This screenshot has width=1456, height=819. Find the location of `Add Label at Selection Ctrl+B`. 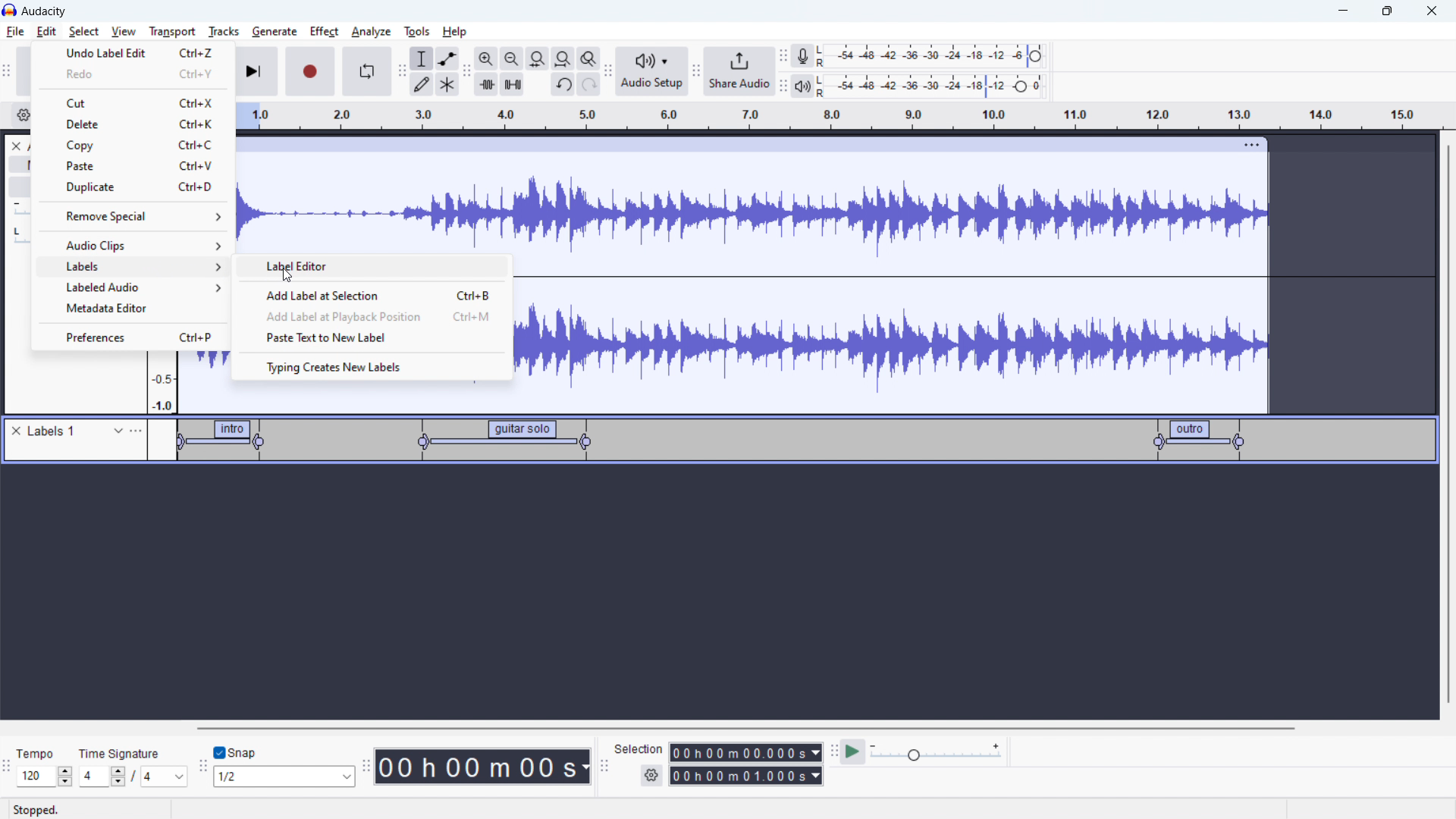

Add Label at Selection Ctrl+B is located at coordinates (378, 295).